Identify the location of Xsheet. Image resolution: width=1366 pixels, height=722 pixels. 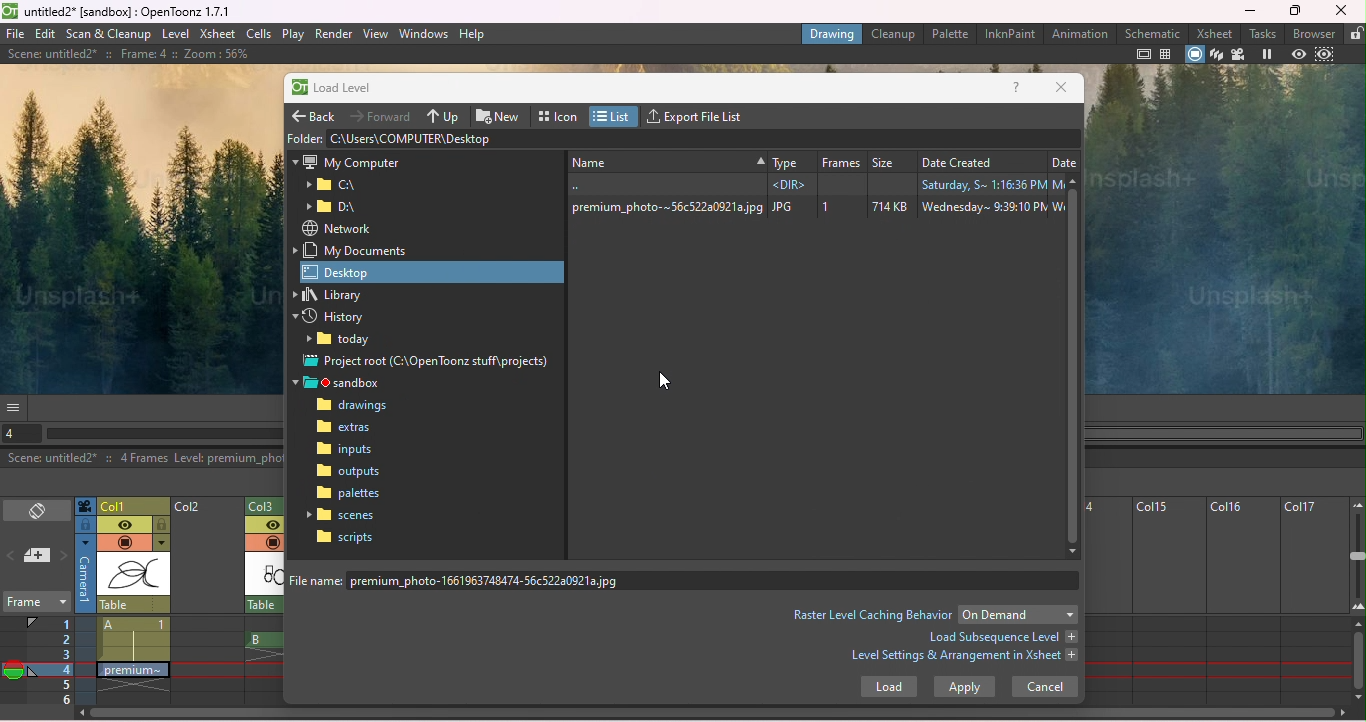
(217, 35).